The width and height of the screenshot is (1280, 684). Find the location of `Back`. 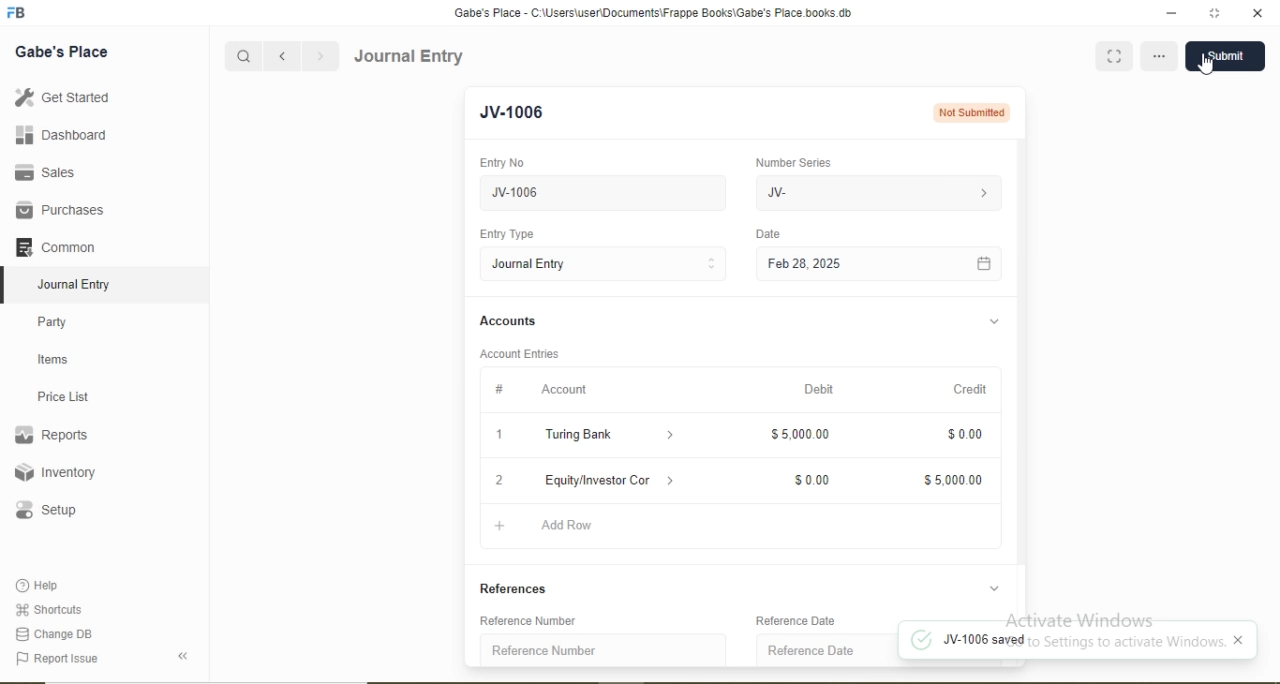

Back is located at coordinates (182, 656).